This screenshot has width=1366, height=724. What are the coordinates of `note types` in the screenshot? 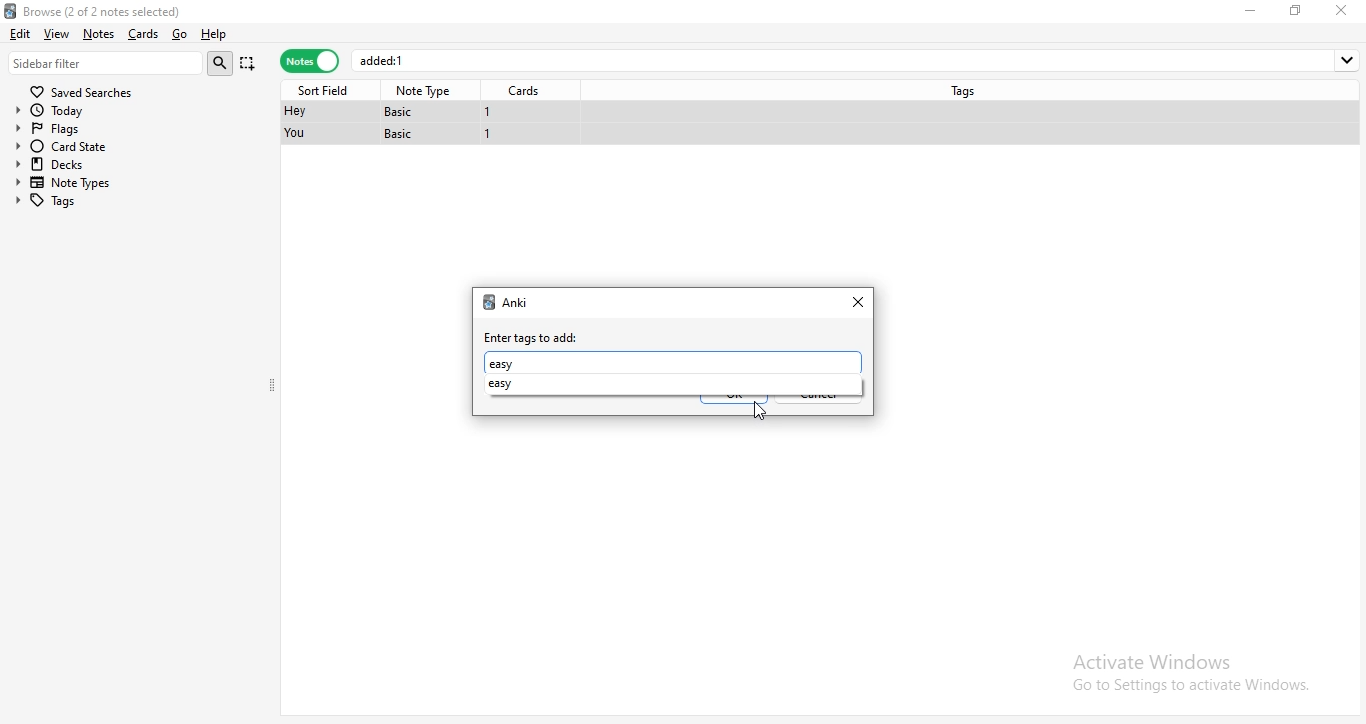 It's located at (68, 183).